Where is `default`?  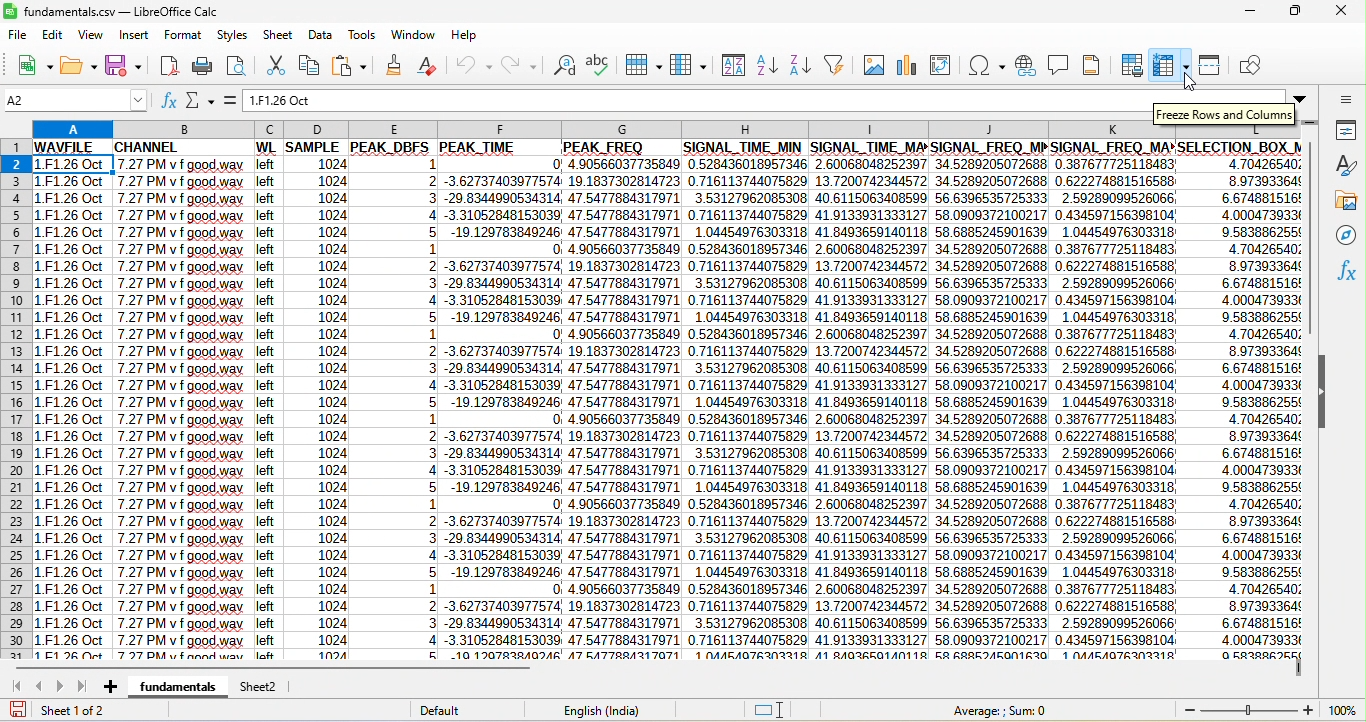
default is located at coordinates (459, 710).